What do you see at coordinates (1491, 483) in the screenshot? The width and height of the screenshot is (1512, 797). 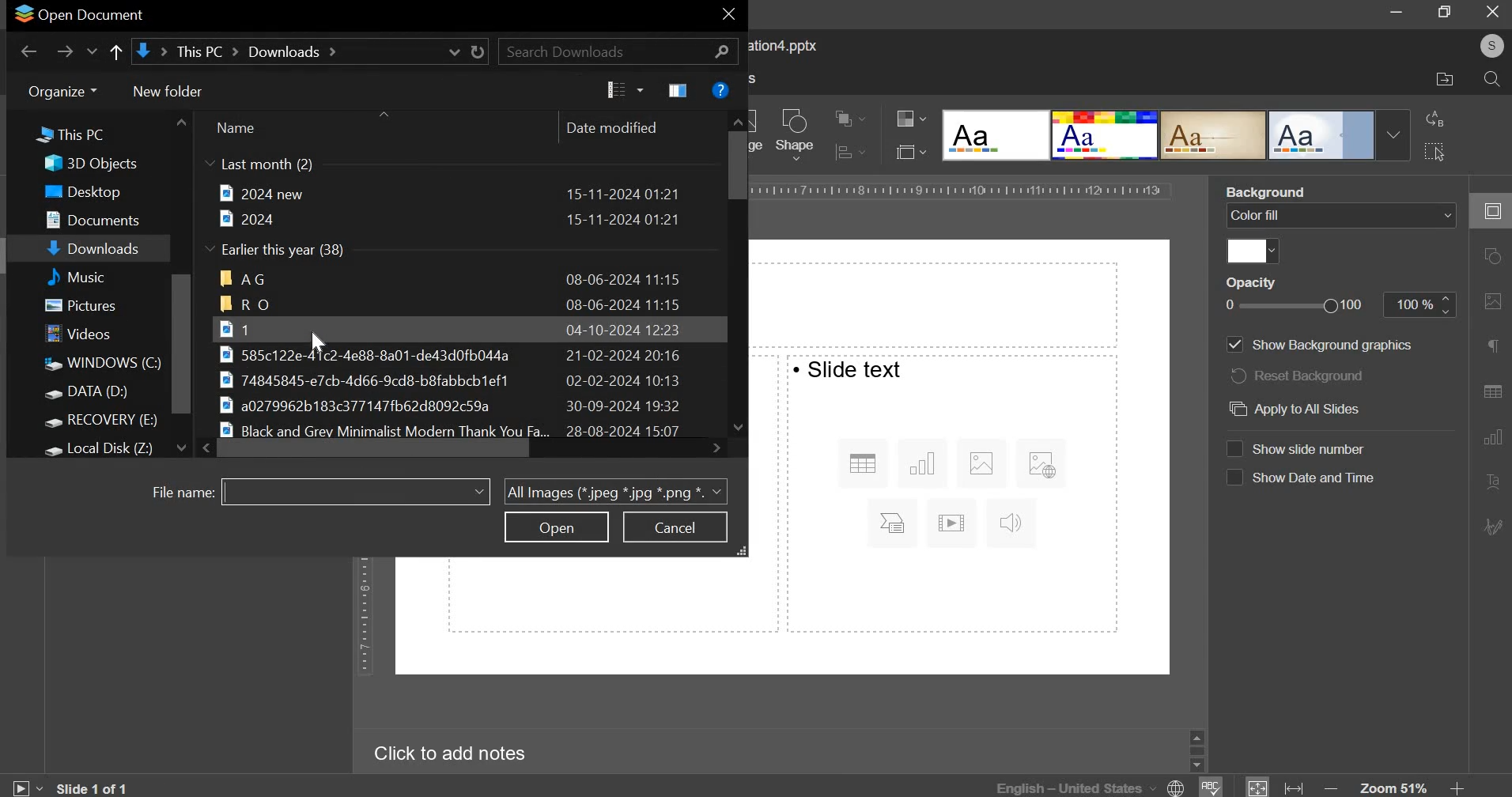 I see `text art` at bounding box center [1491, 483].